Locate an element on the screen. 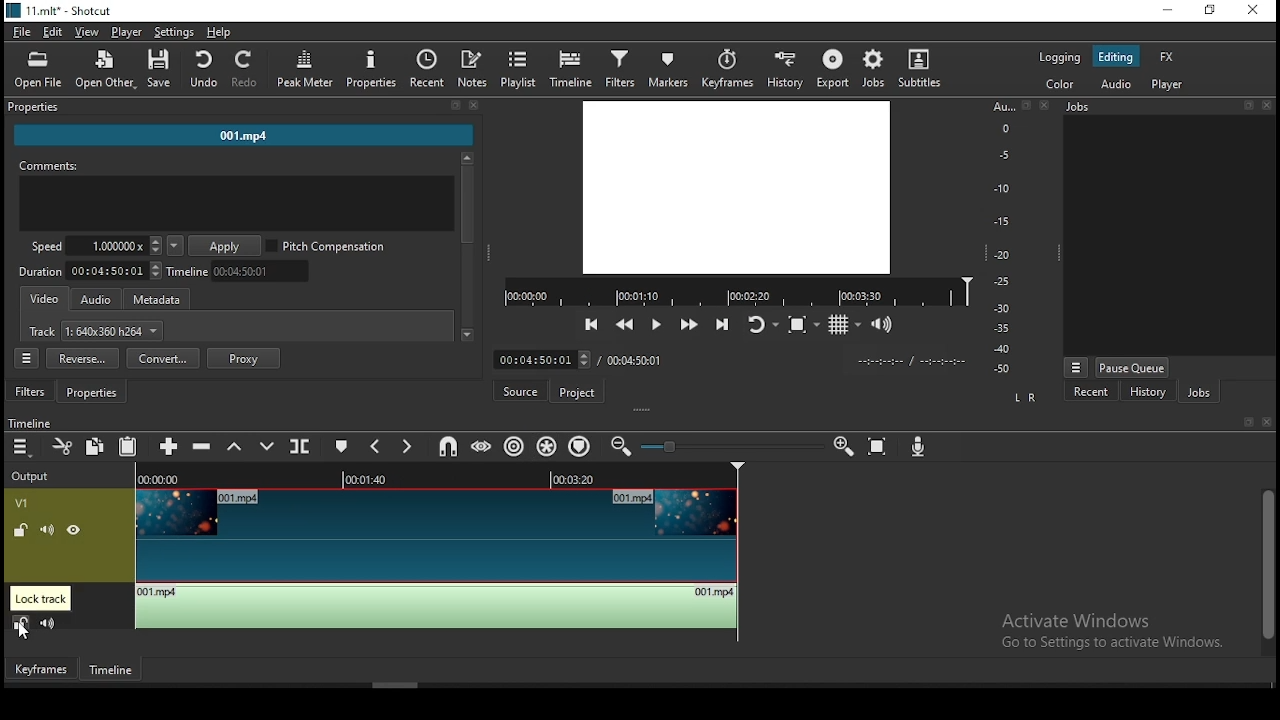  open other is located at coordinates (106, 67).